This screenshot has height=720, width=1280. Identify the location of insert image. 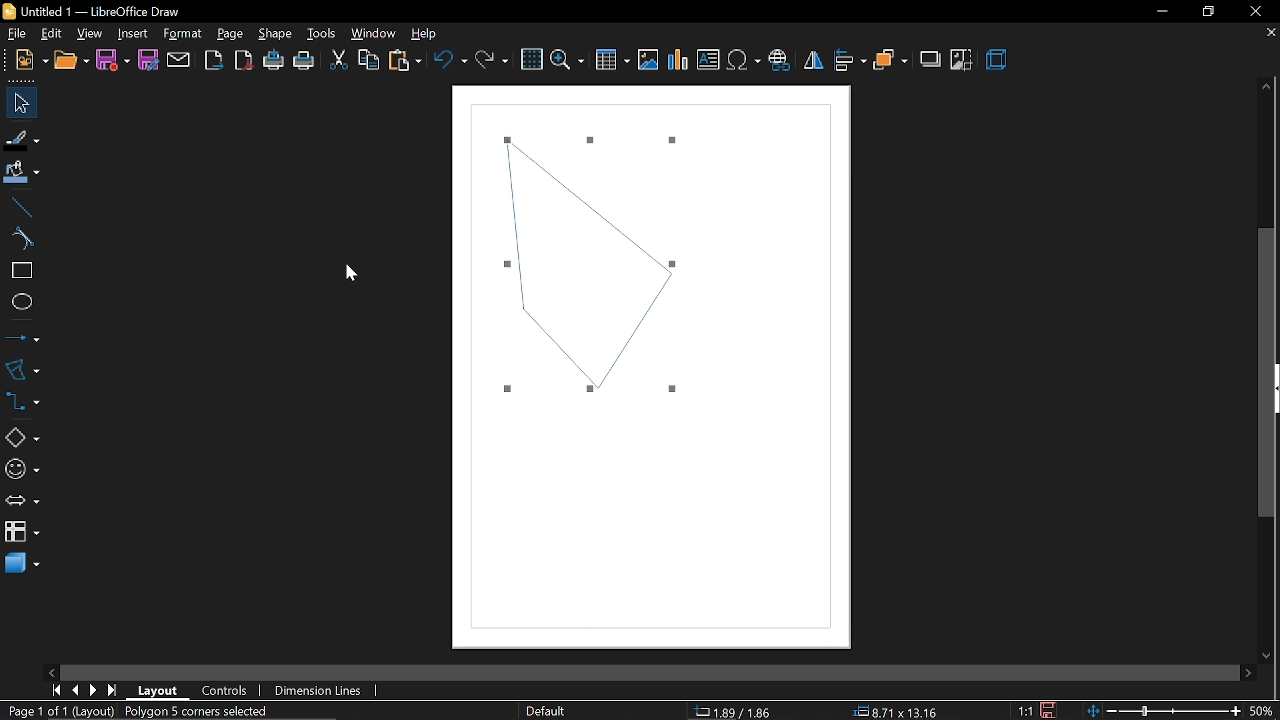
(709, 61).